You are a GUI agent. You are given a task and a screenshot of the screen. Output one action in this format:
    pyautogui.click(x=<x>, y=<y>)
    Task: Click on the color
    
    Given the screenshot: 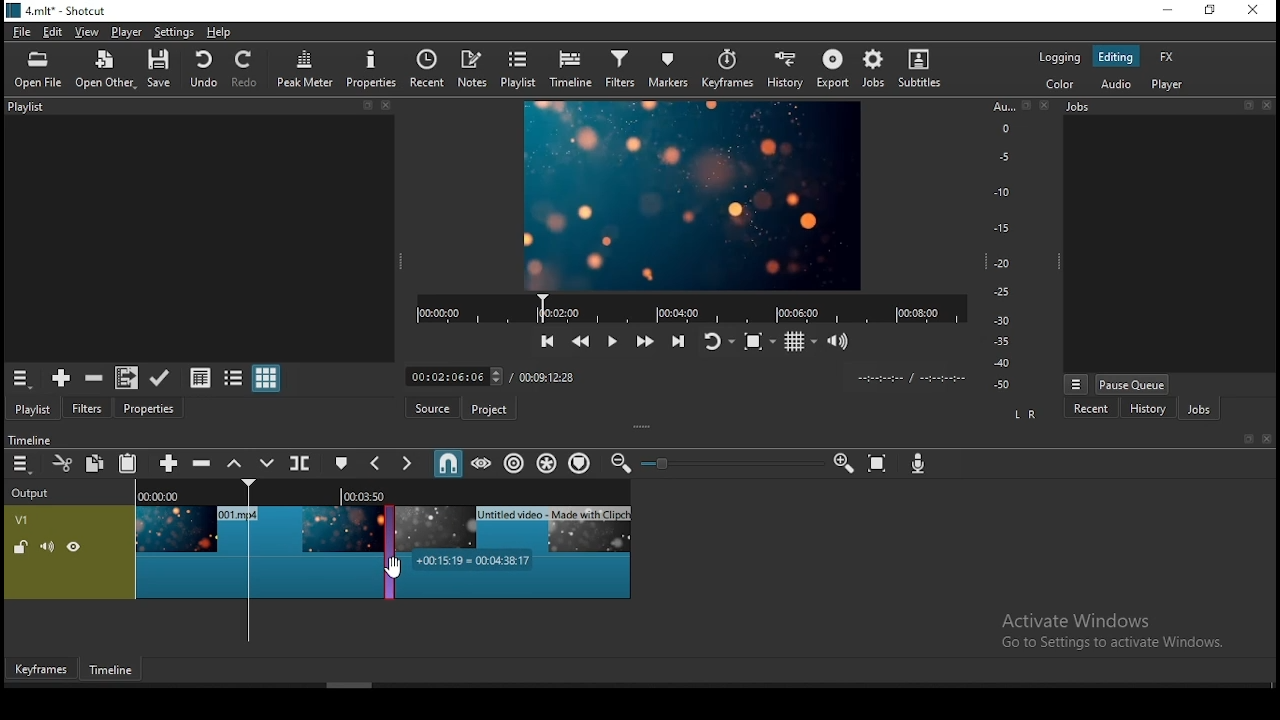 What is the action you would take?
    pyautogui.click(x=1059, y=86)
    